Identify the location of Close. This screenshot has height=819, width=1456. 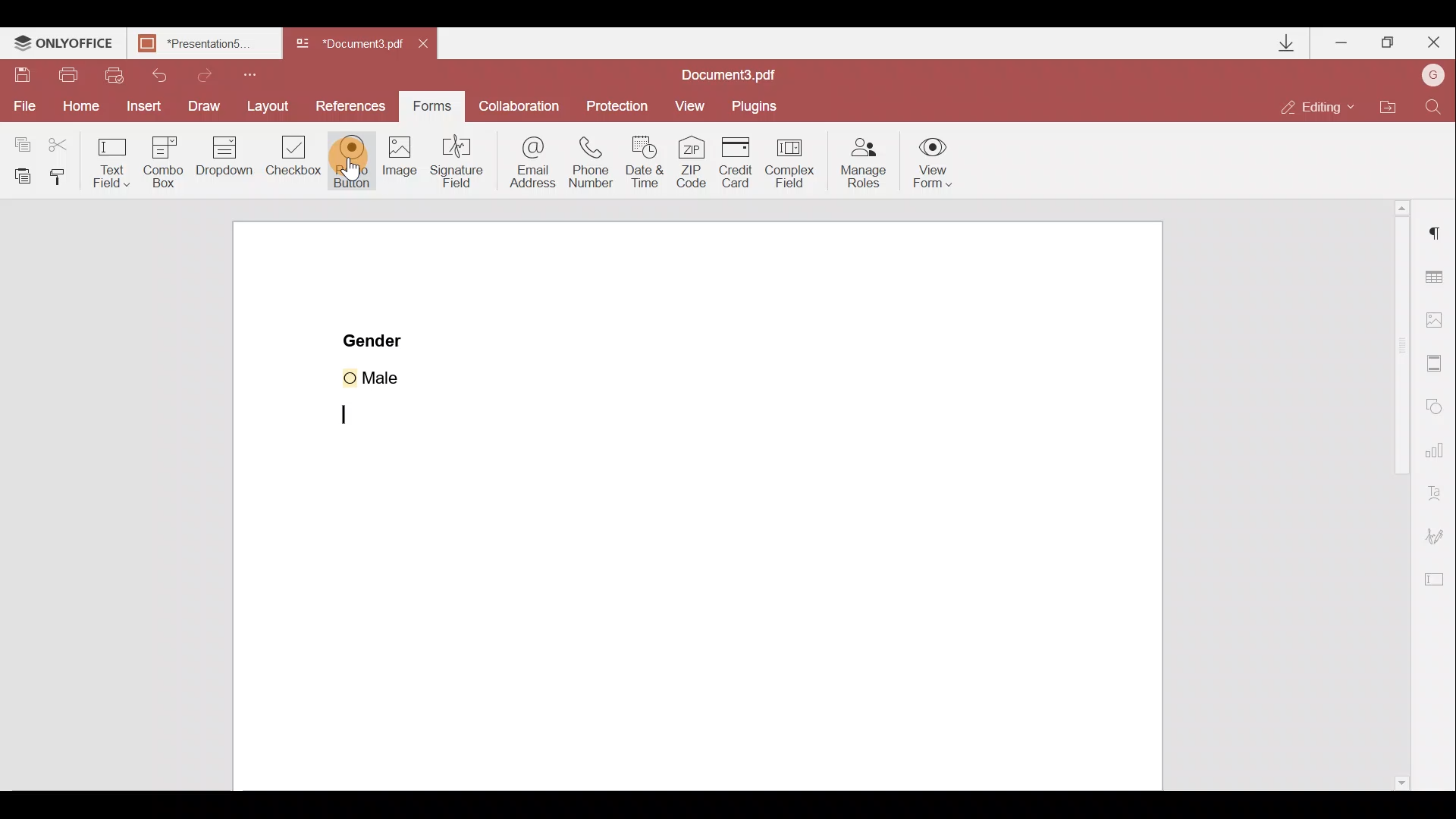
(1434, 43).